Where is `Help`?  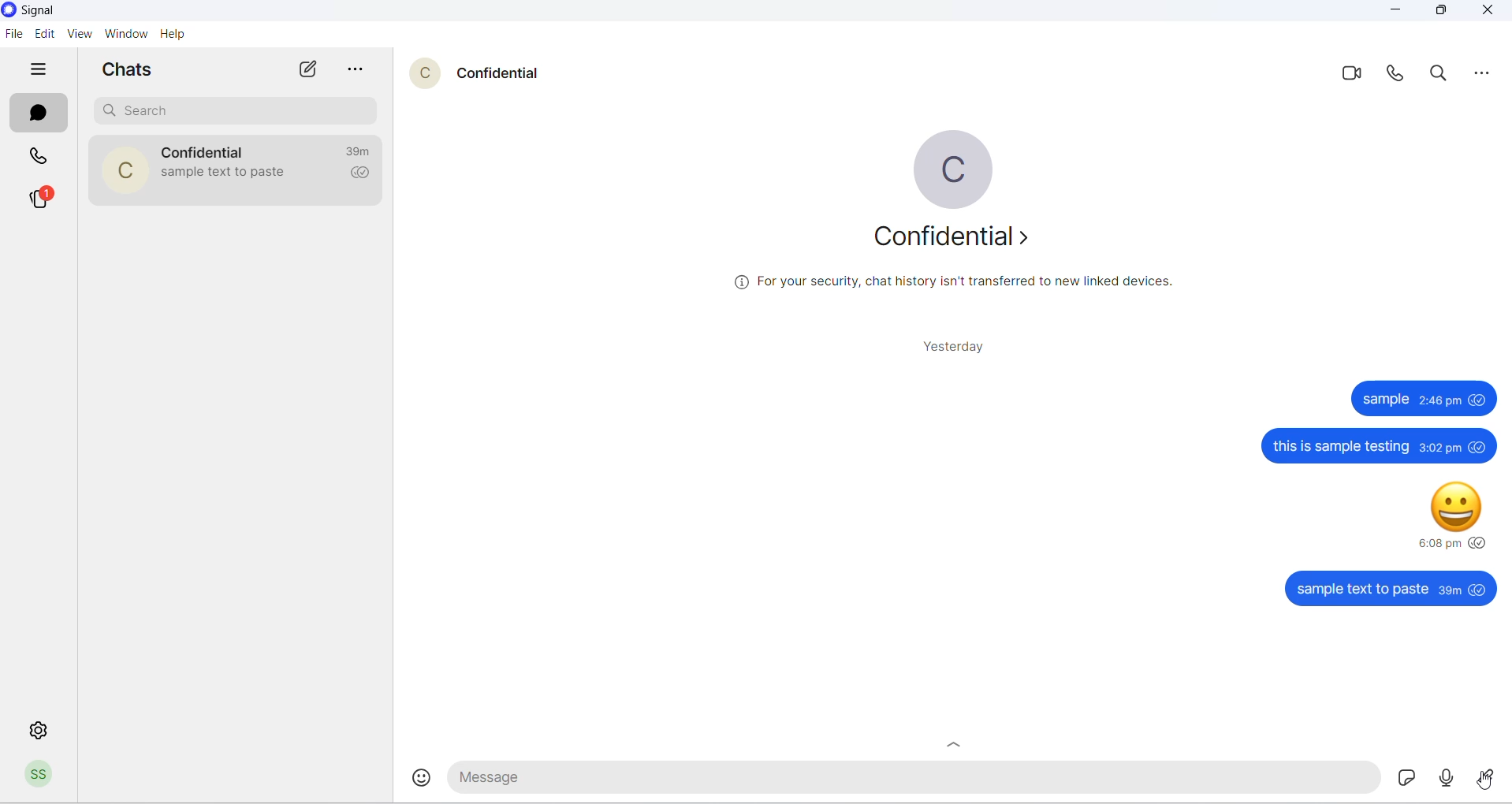
Help is located at coordinates (173, 35).